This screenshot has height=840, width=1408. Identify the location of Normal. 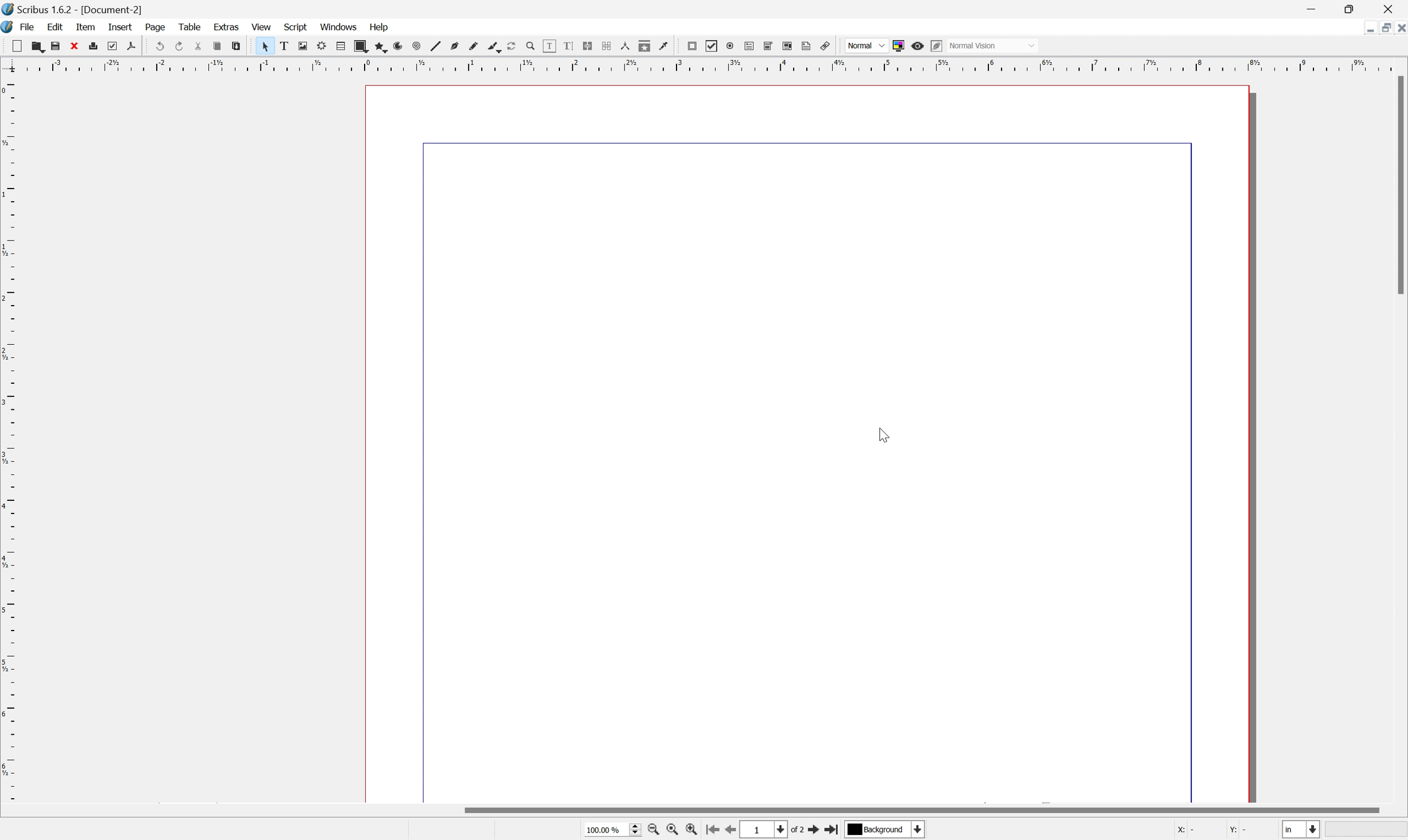
(864, 45).